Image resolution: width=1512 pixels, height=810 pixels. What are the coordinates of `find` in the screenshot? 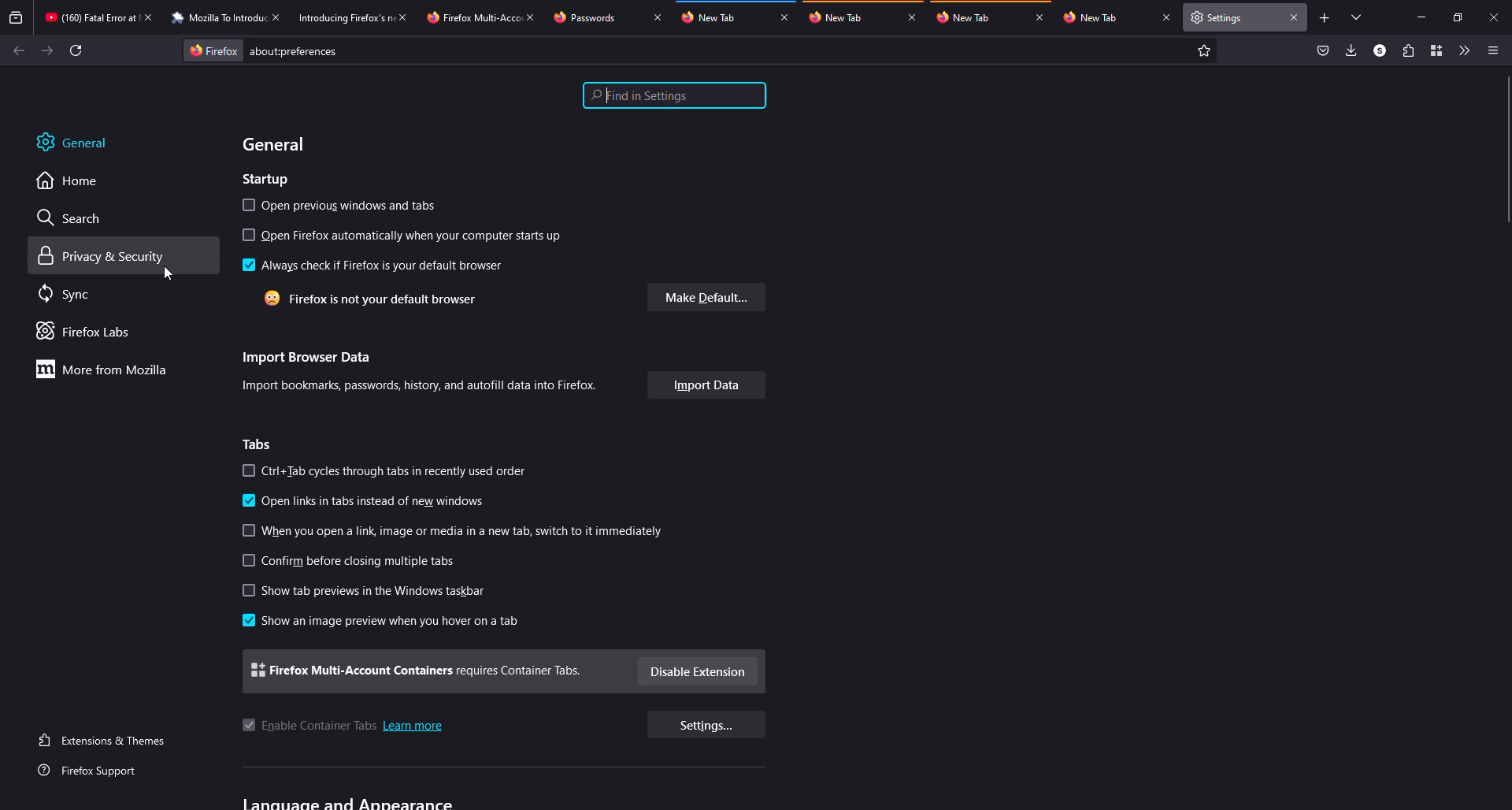 It's located at (674, 95).